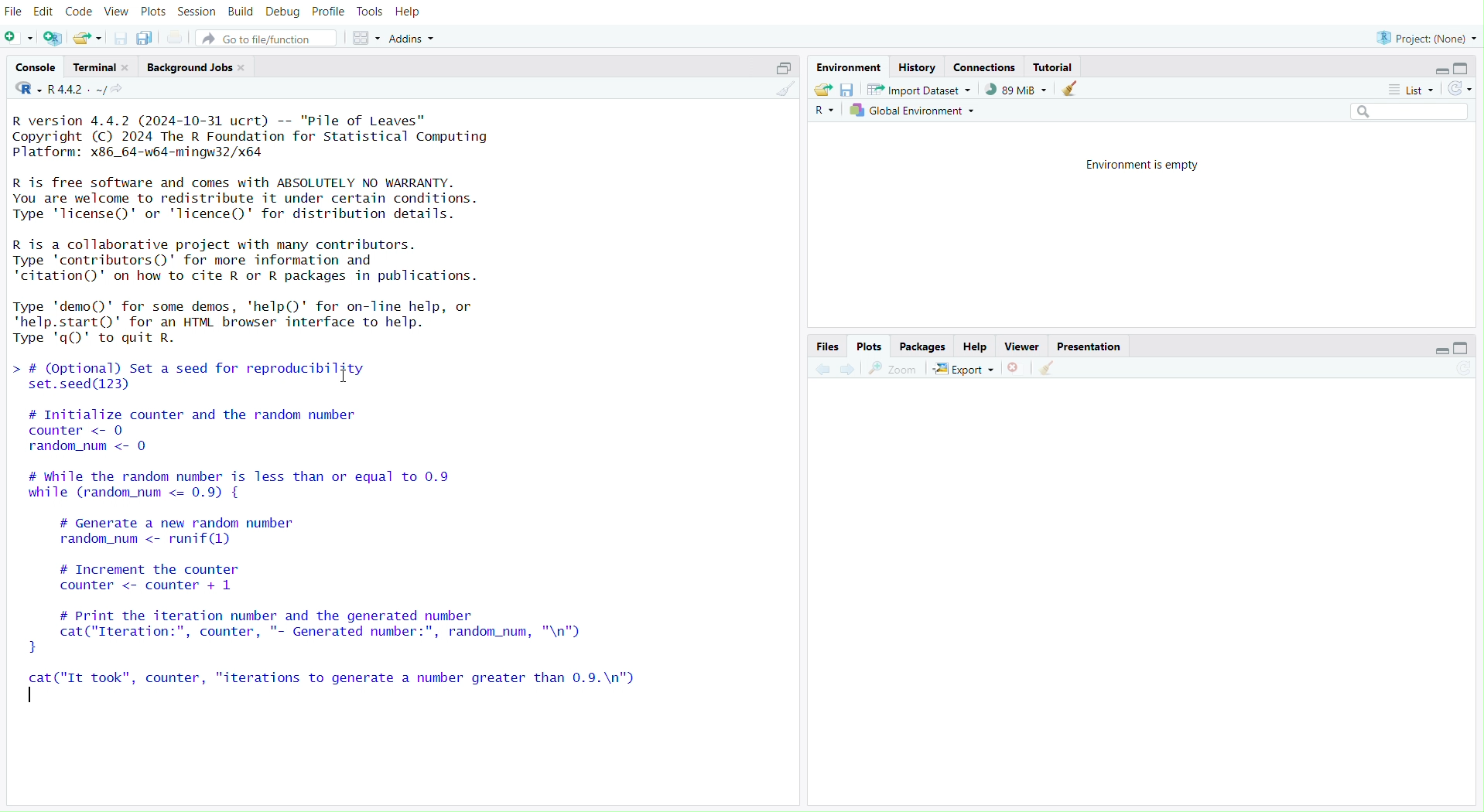 The height and width of the screenshot is (812, 1484). What do you see at coordinates (45, 12) in the screenshot?
I see `Edit` at bounding box center [45, 12].